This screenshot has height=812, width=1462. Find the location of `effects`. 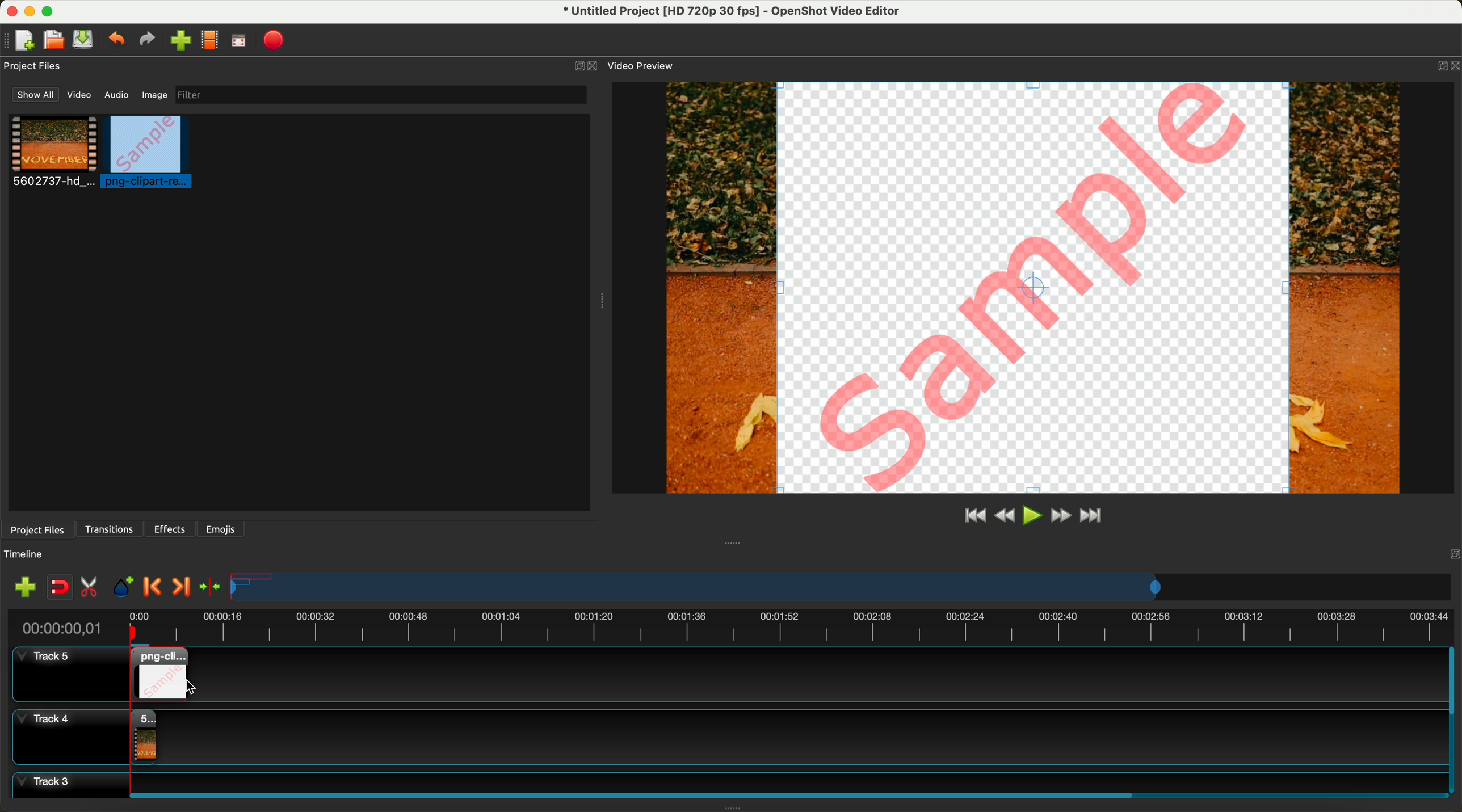

effects is located at coordinates (171, 529).